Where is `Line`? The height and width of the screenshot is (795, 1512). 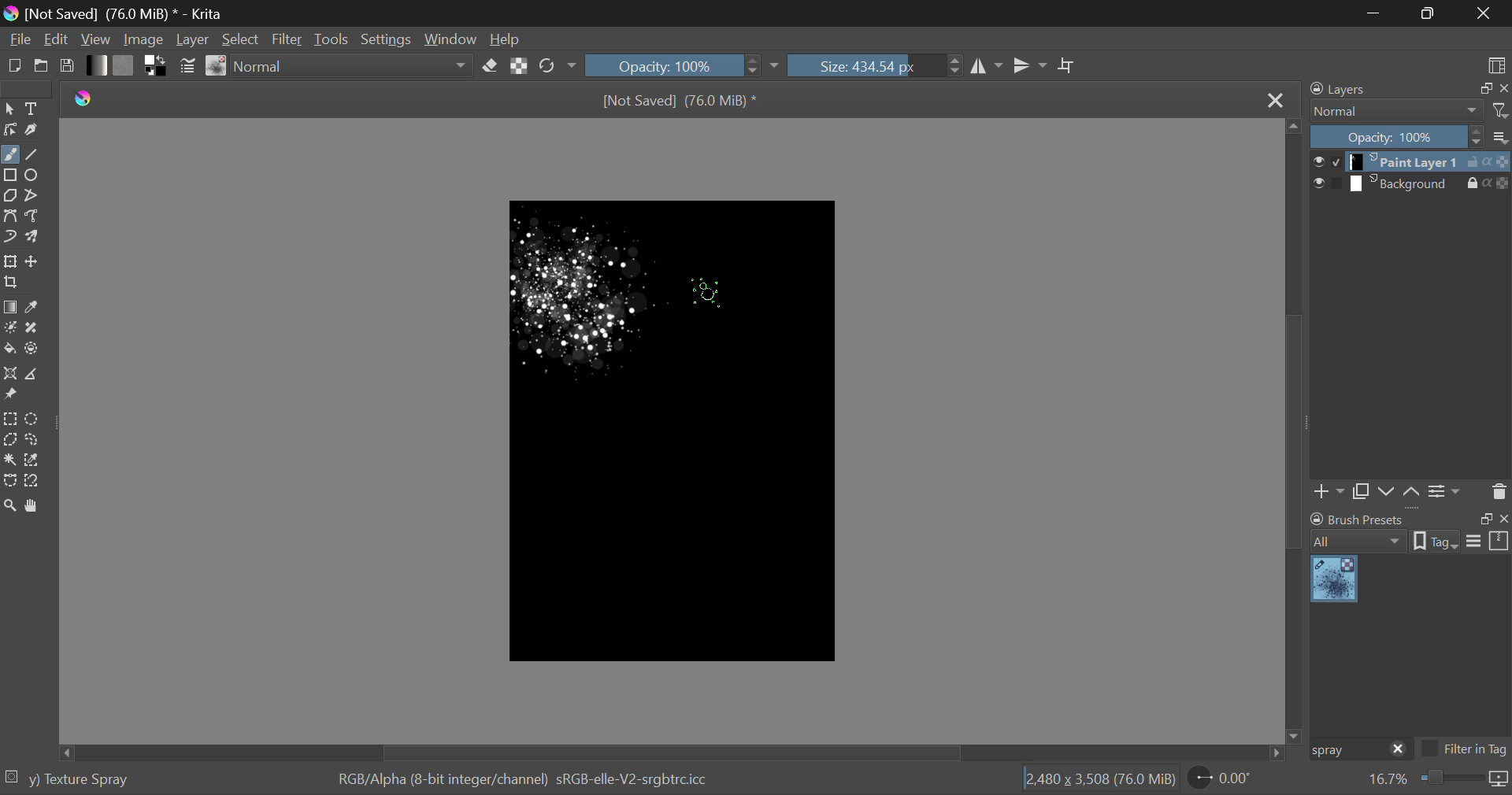 Line is located at coordinates (32, 156).